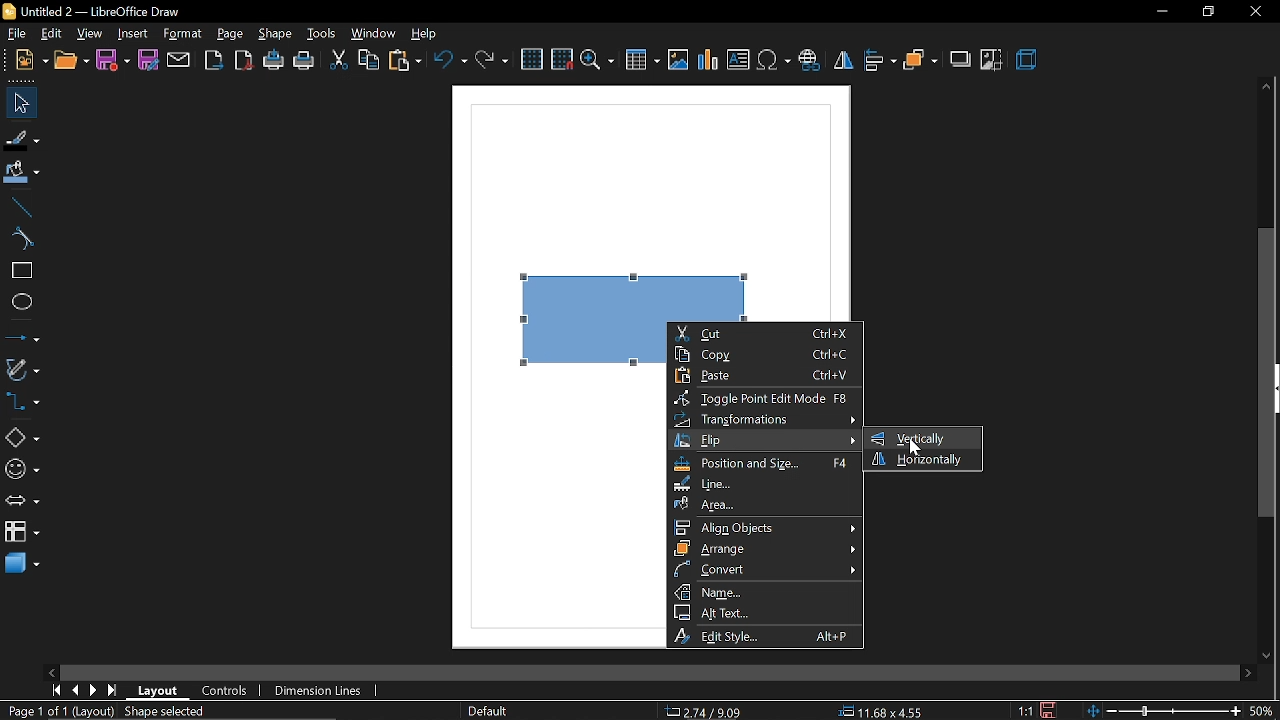 Image resolution: width=1280 pixels, height=720 pixels. Describe the element at coordinates (1030, 62) in the screenshot. I see `3d effects` at that location.